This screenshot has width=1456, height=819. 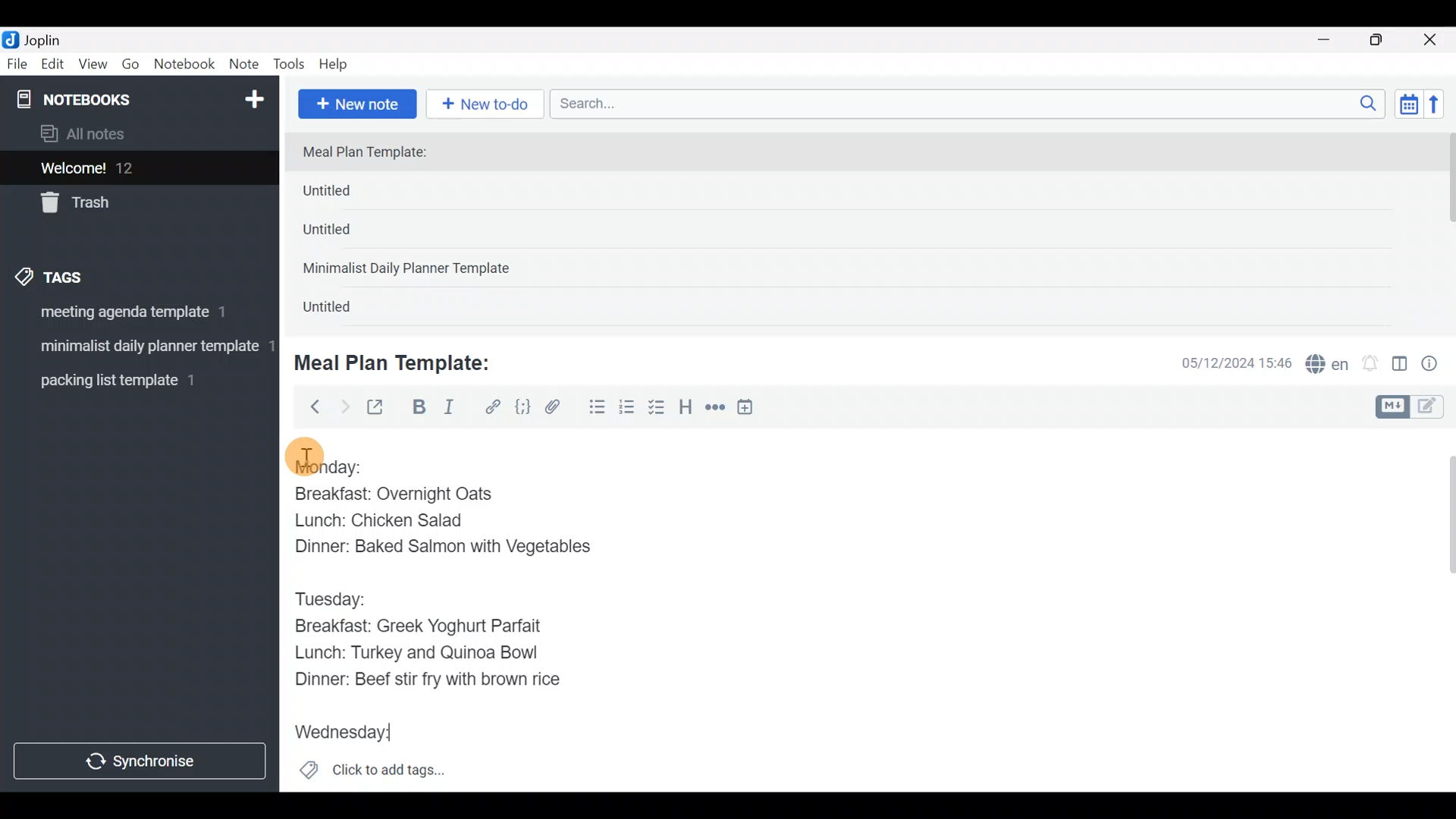 I want to click on View, so click(x=93, y=67).